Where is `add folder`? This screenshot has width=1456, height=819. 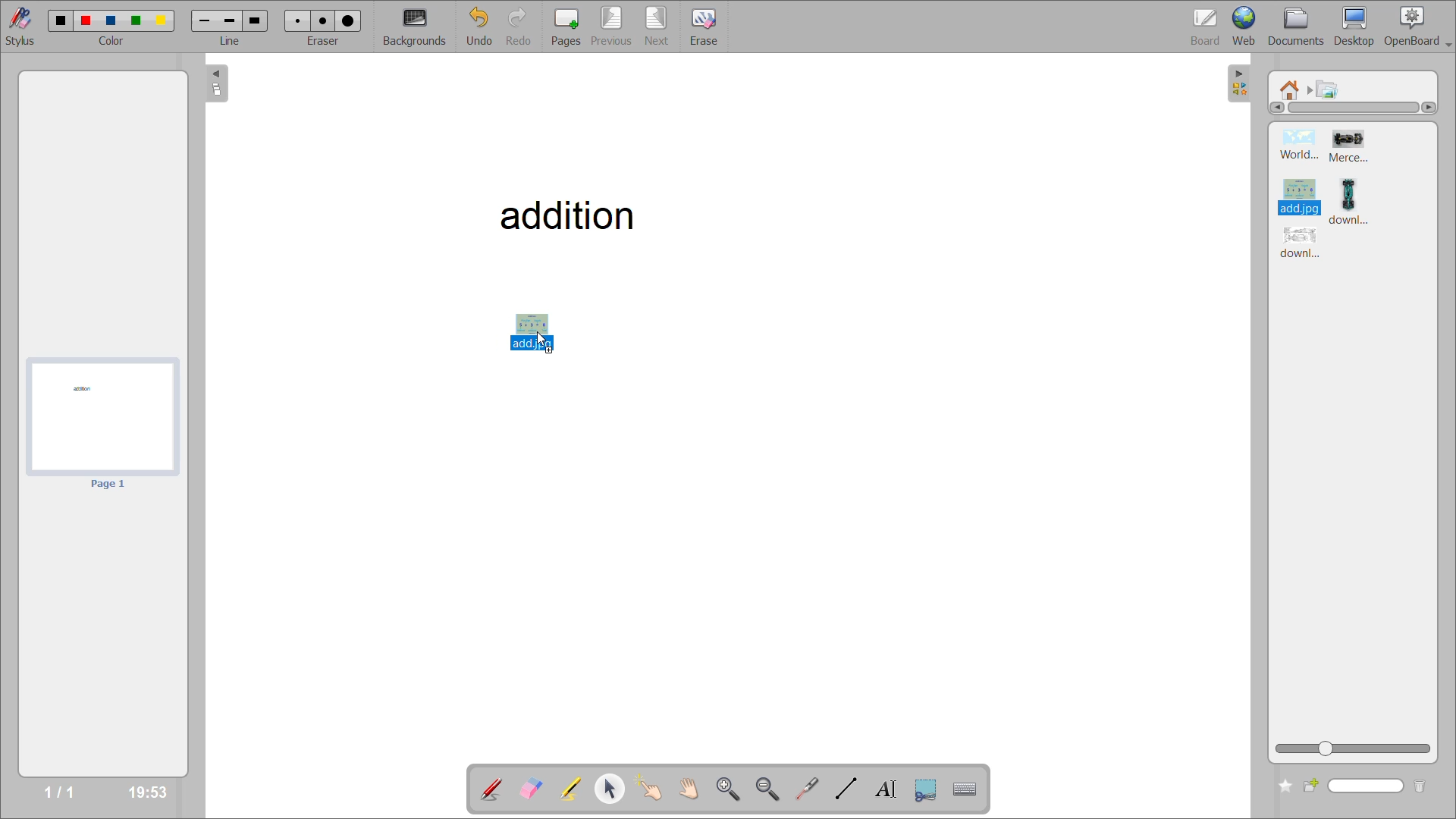 add folder is located at coordinates (1281, 787).